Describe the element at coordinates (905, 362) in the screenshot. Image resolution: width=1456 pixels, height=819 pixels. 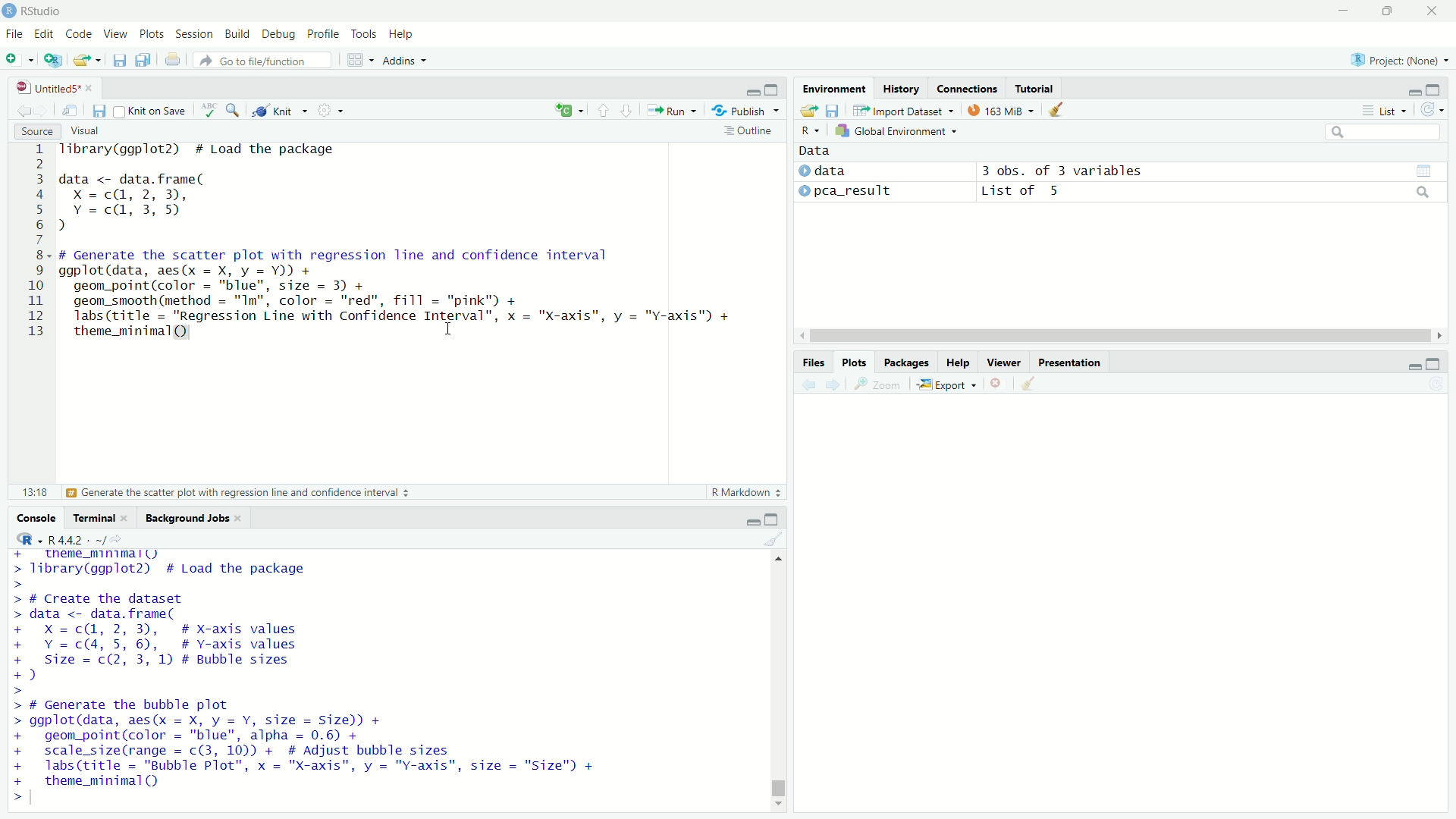
I see `Packages` at that location.